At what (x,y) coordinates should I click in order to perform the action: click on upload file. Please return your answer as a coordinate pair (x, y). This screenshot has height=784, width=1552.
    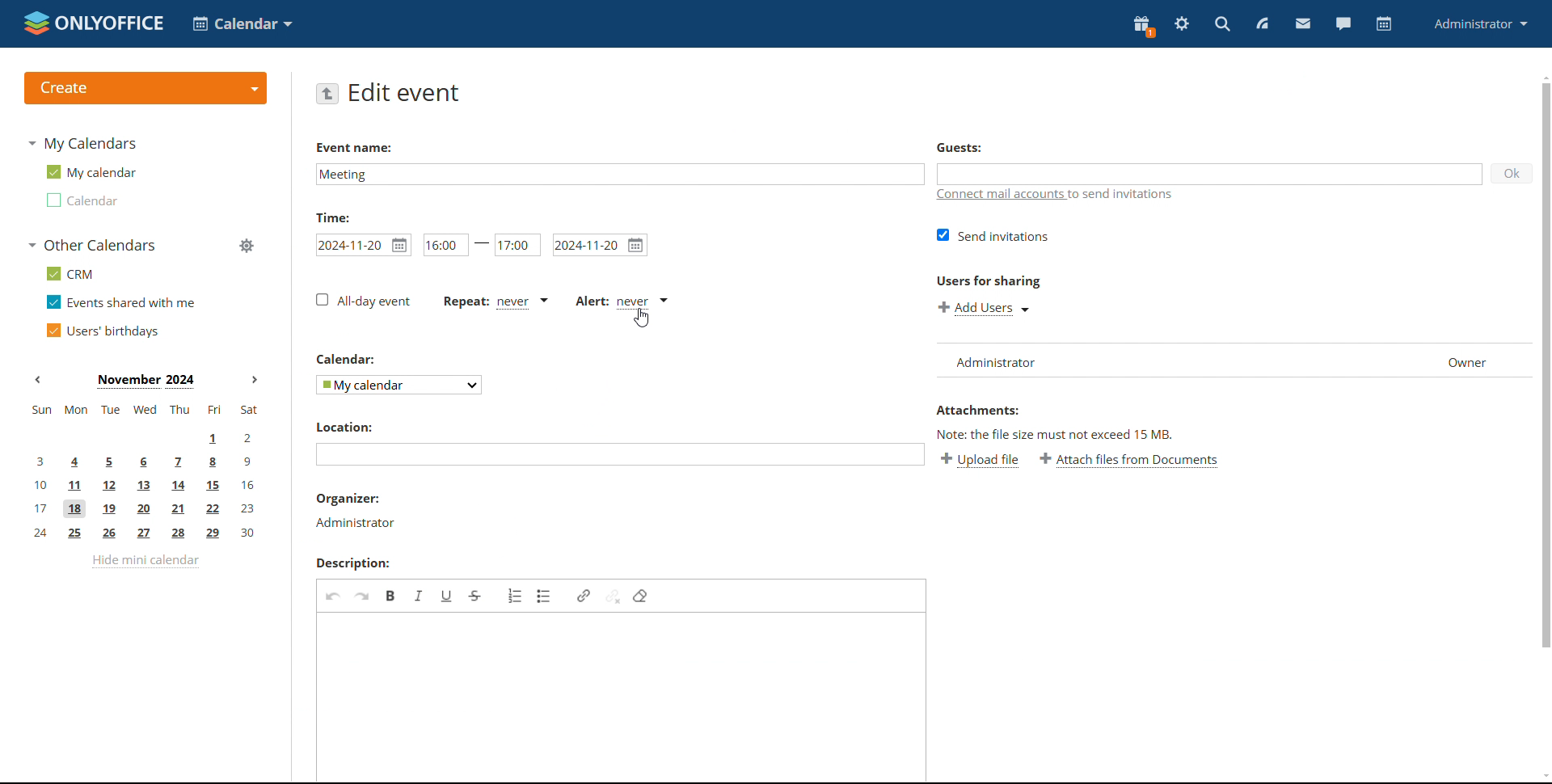
    Looking at the image, I should click on (980, 461).